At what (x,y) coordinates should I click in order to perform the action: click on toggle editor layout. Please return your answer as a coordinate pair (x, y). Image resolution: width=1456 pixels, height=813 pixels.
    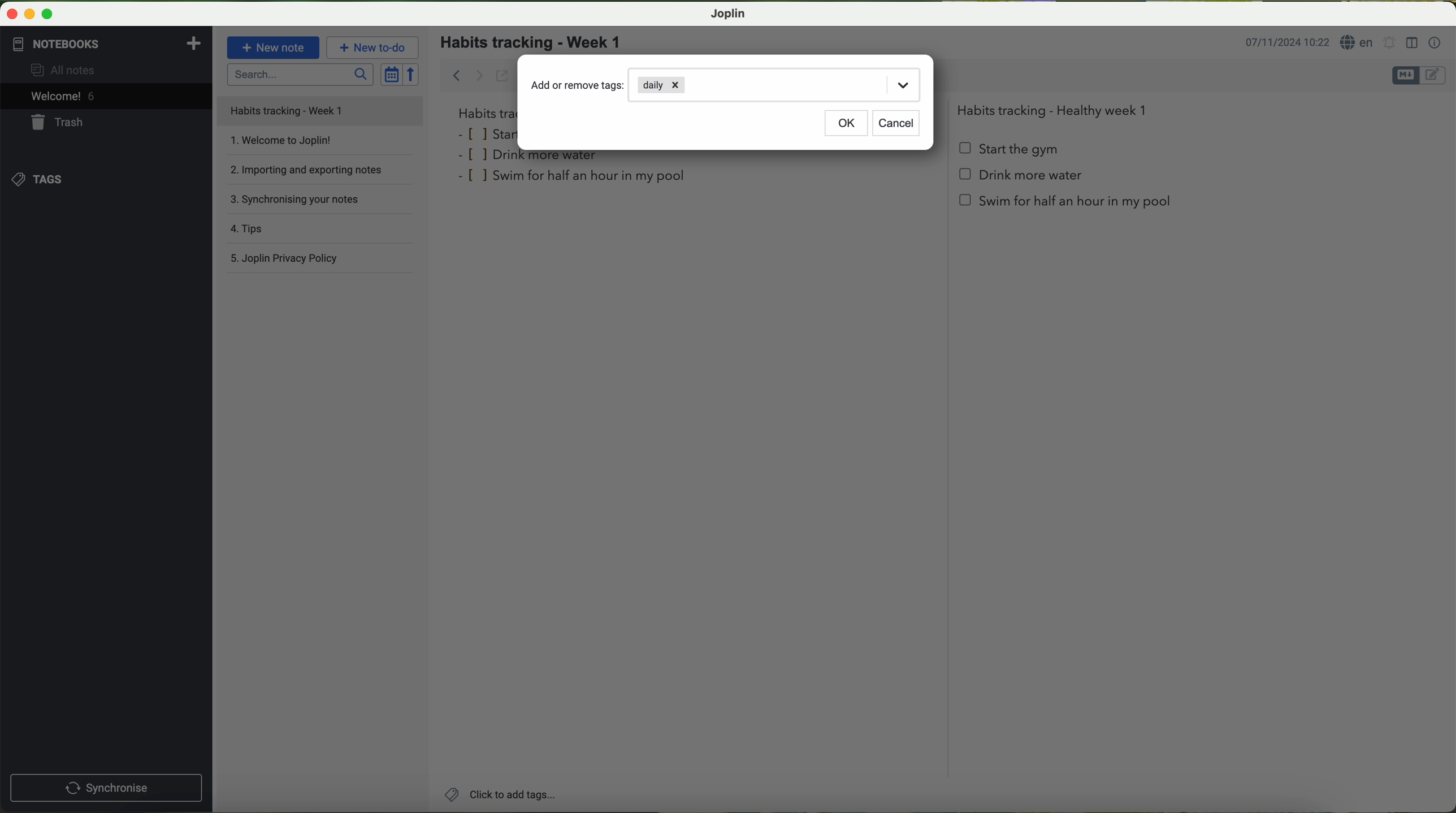
    Looking at the image, I should click on (1412, 43).